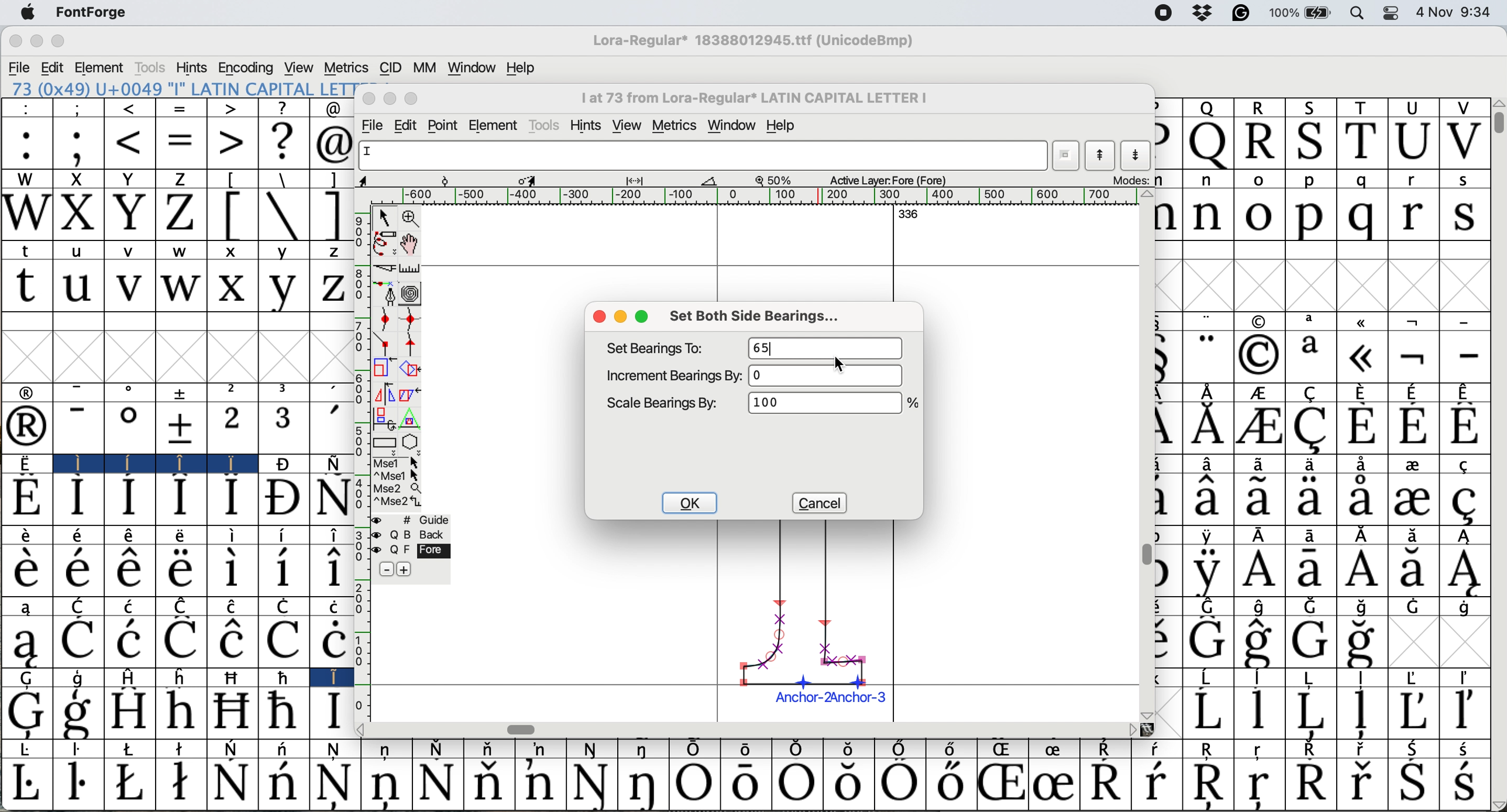 The width and height of the screenshot is (1507, 812). Describe the element at coordinates (907, 215) in the screenshot. I see `` at that location.